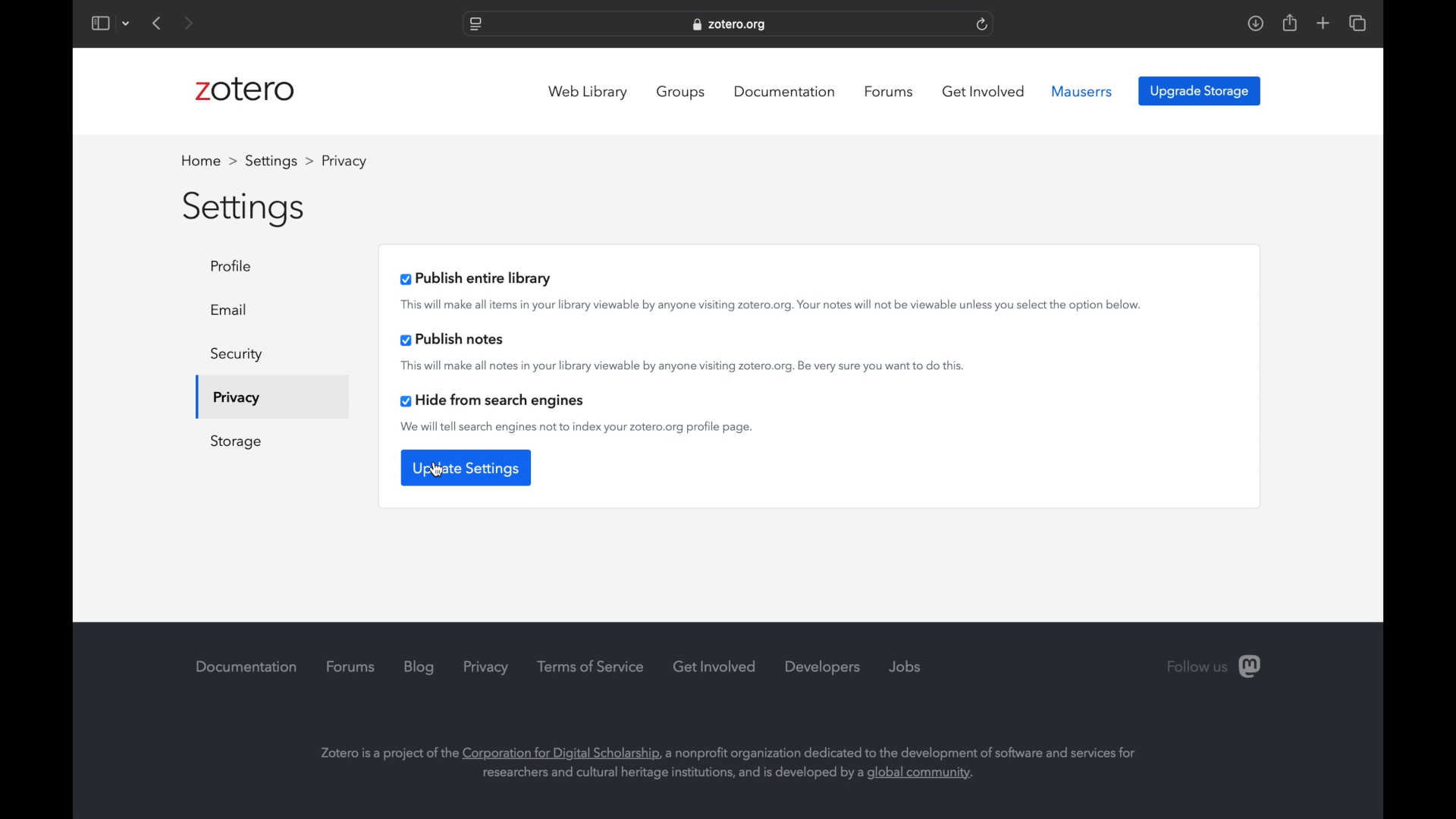  I want to click on email, so click(229, 309).